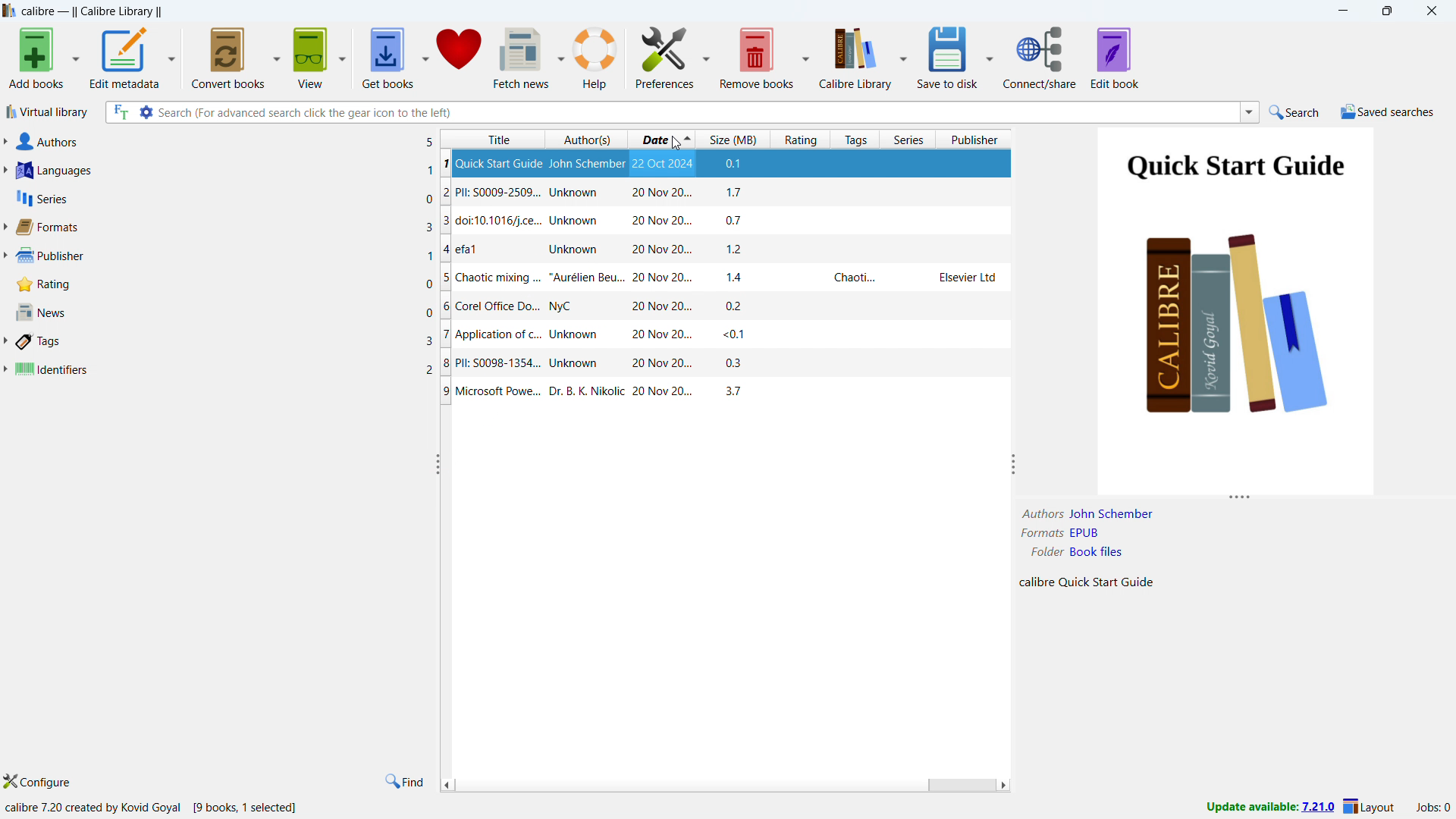  I want to click on P11: S0009-2509..., so click(493, 251).